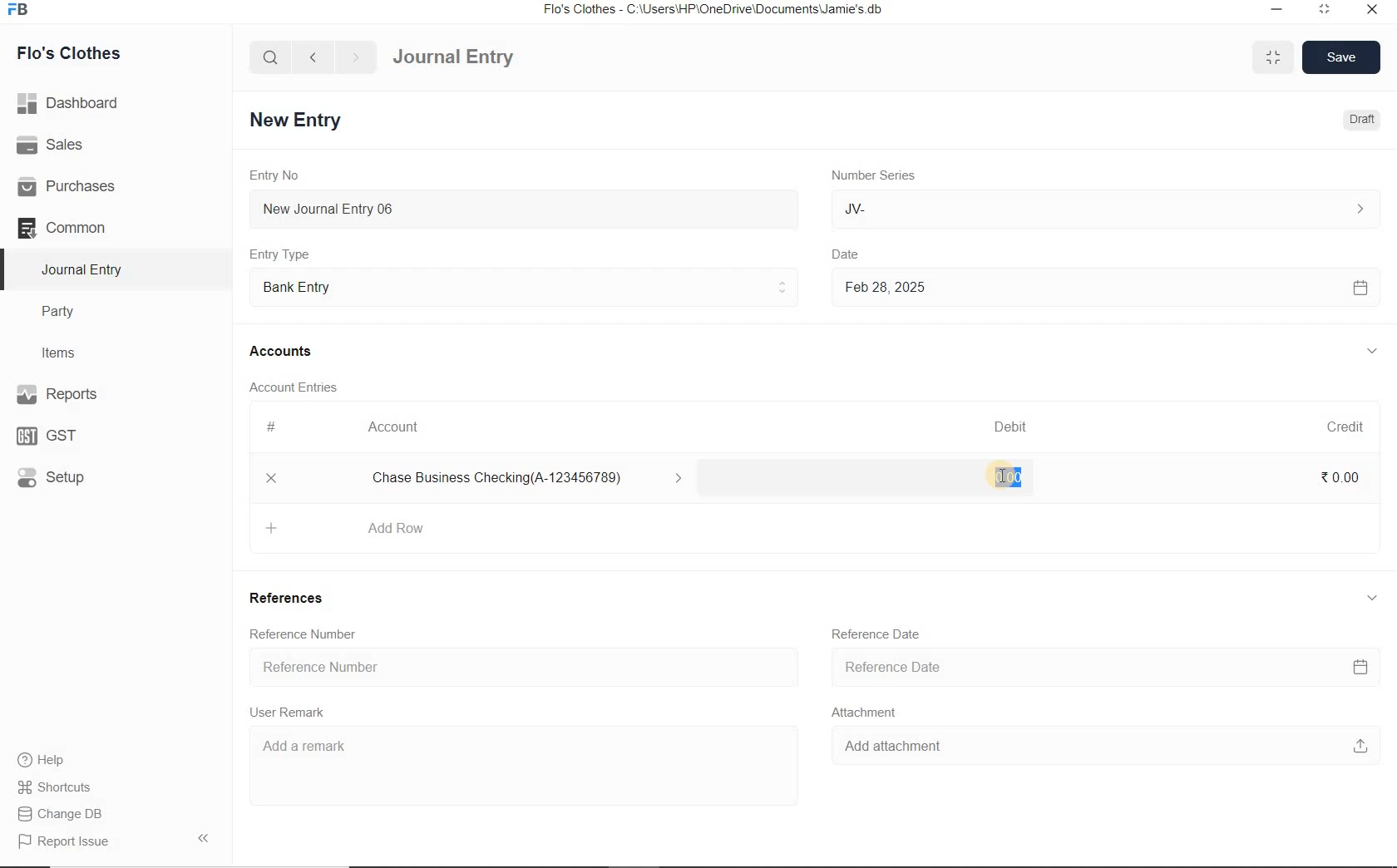  Describe the element at coordinates (292, 600) in the screenshot. I see `References` at that location.